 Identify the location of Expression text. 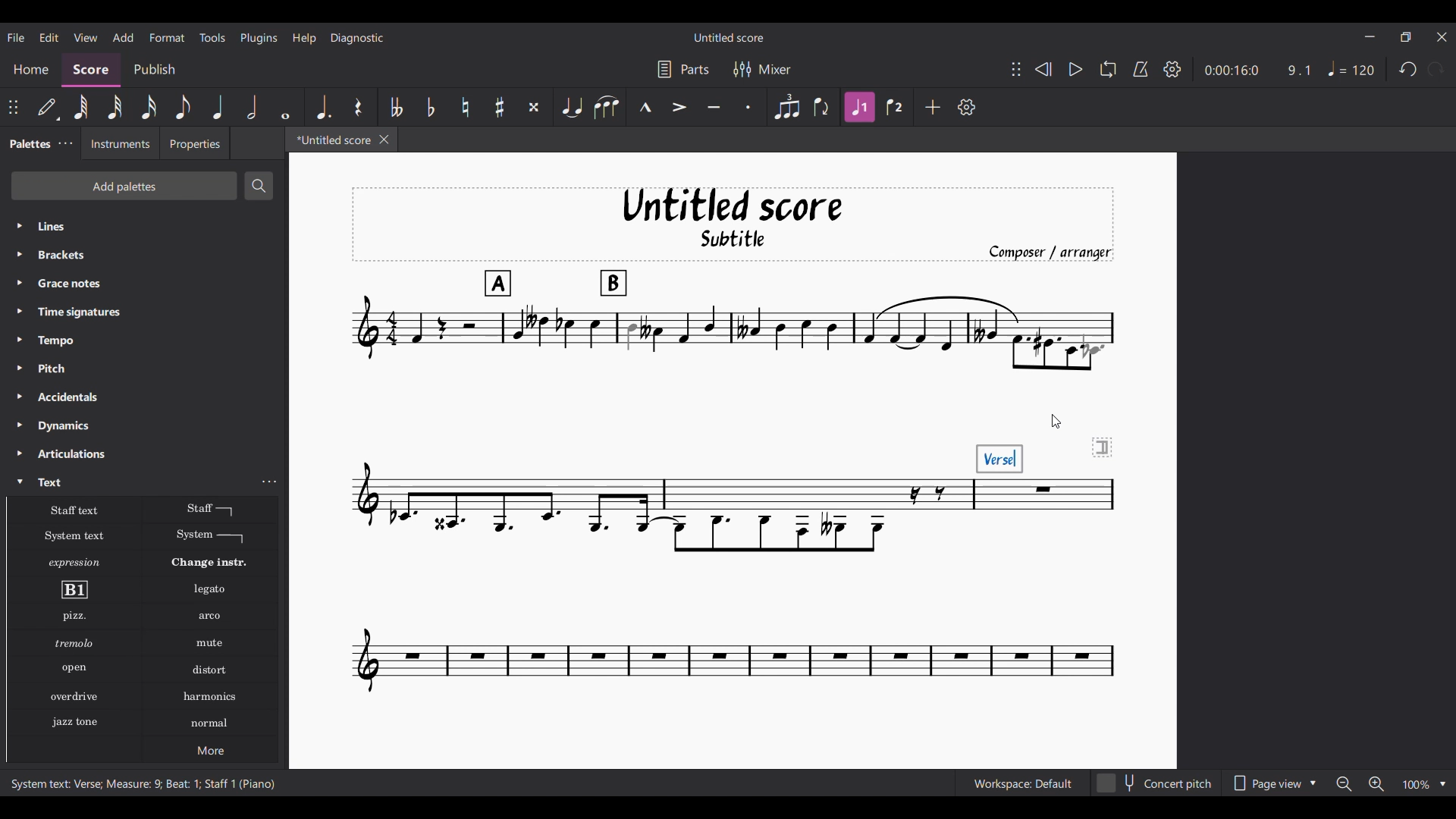
(74, 563).